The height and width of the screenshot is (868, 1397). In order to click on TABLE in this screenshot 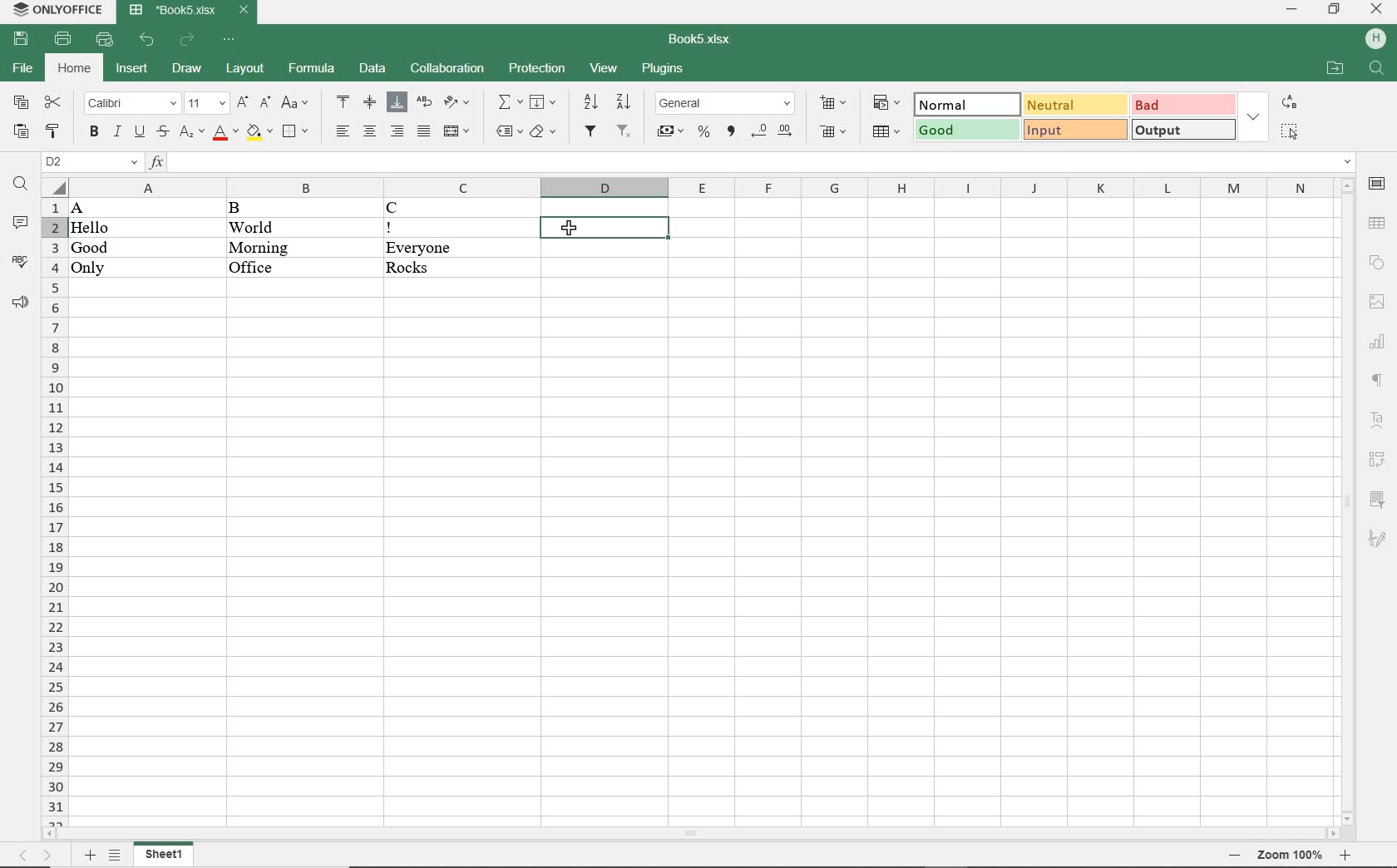, I will do `click(1379, 223)`.